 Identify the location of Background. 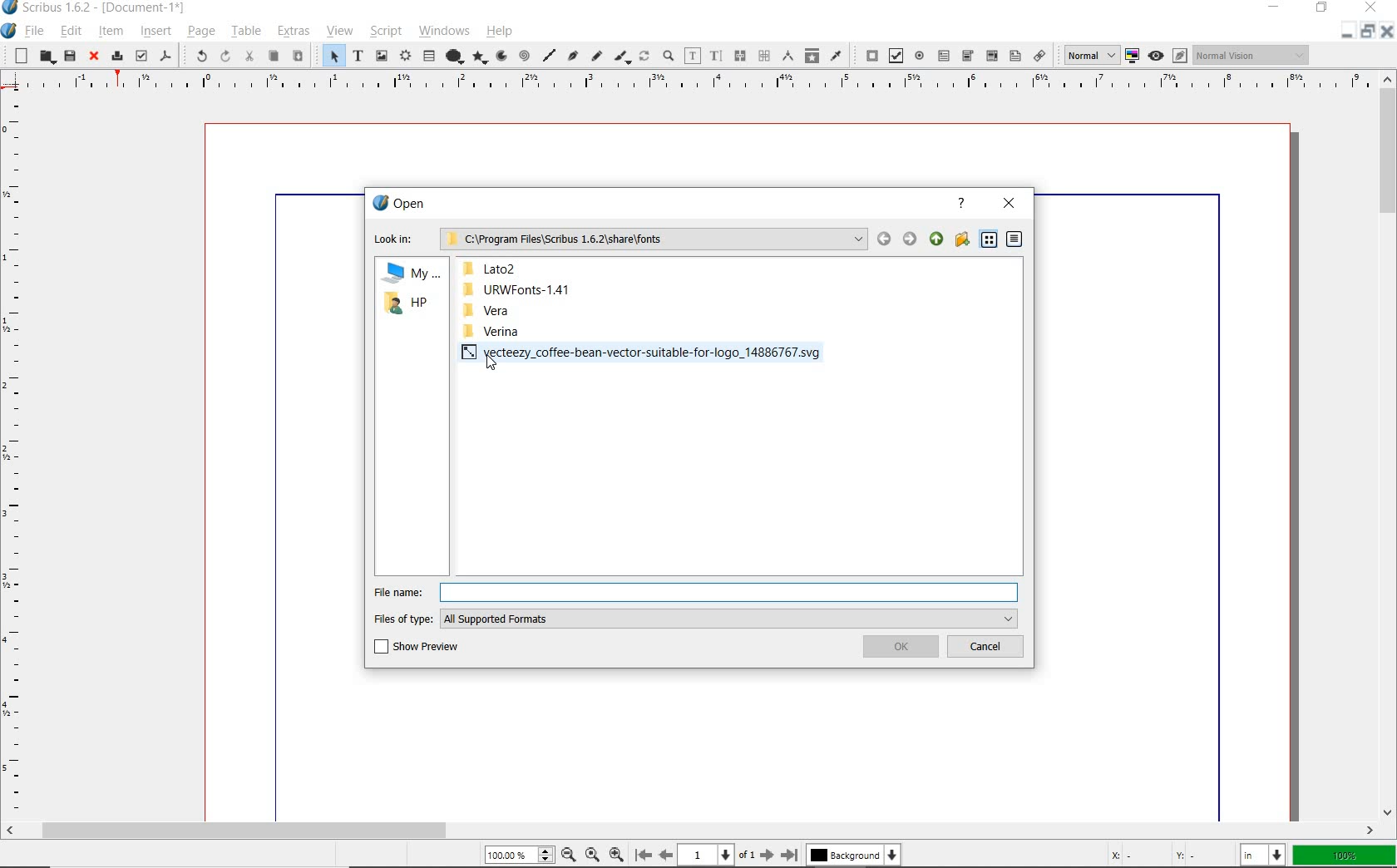
(853, 856).